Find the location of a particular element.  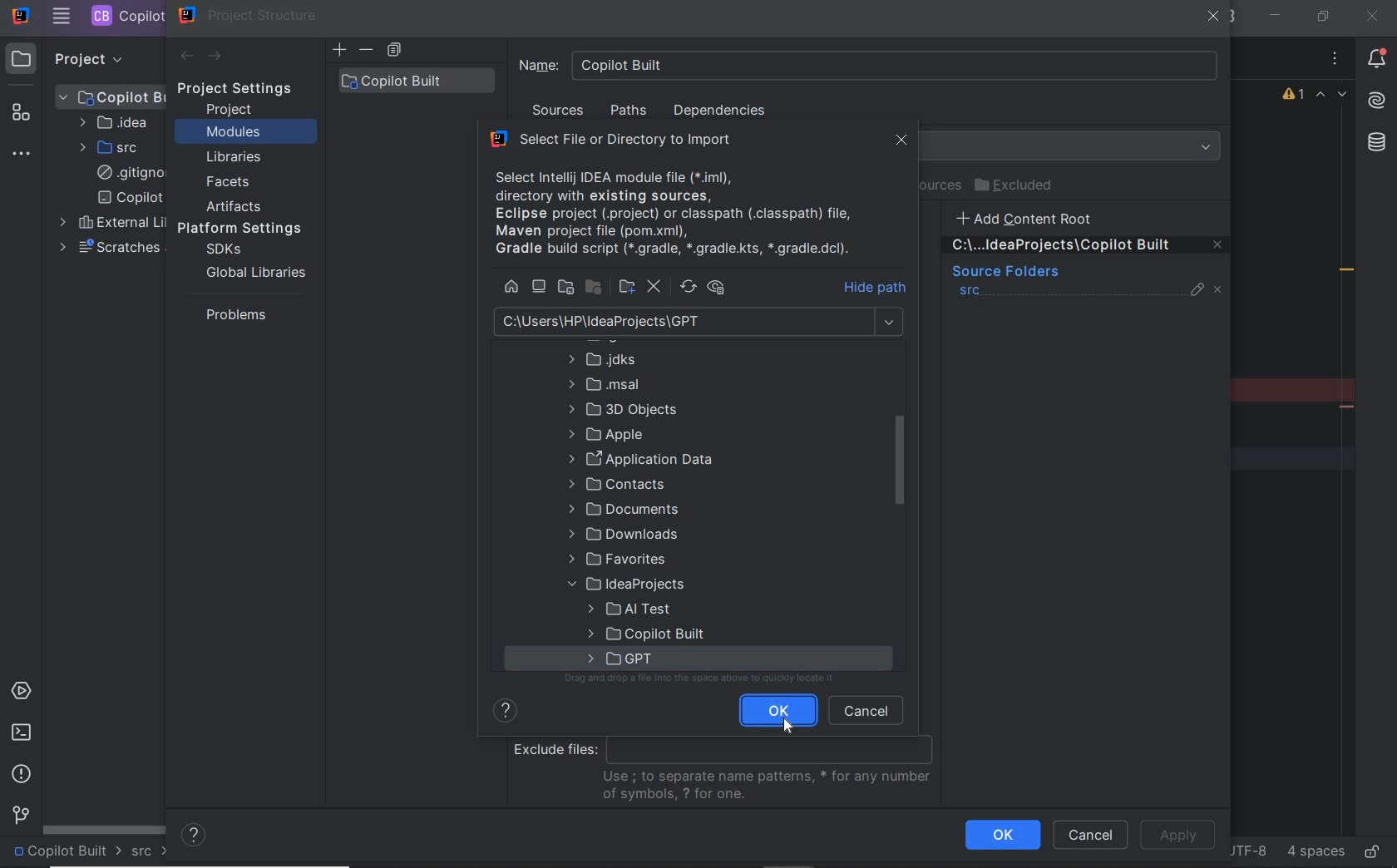

project directory is located at coordinates (565, 289).